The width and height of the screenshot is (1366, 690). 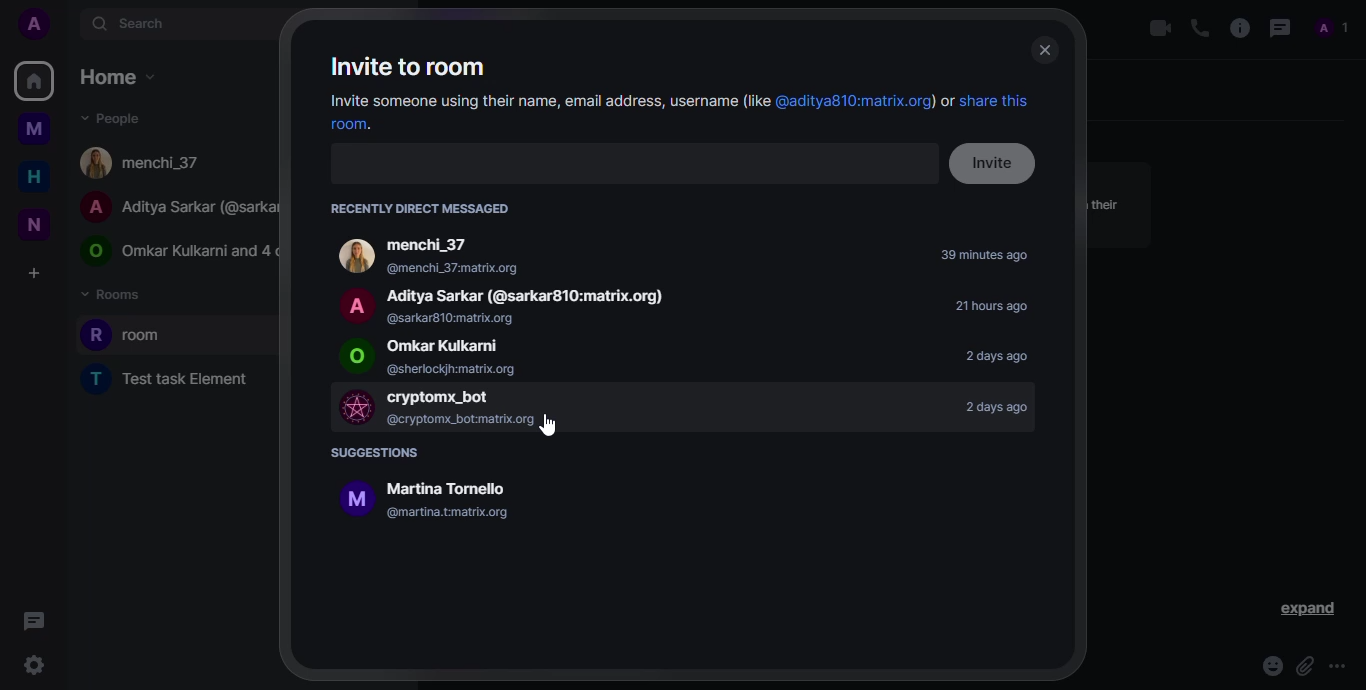 What do you see at coordinates (471, 344) in the screenshot?
I see `Omkar Kulkarni` at bounding box center [471, 344].